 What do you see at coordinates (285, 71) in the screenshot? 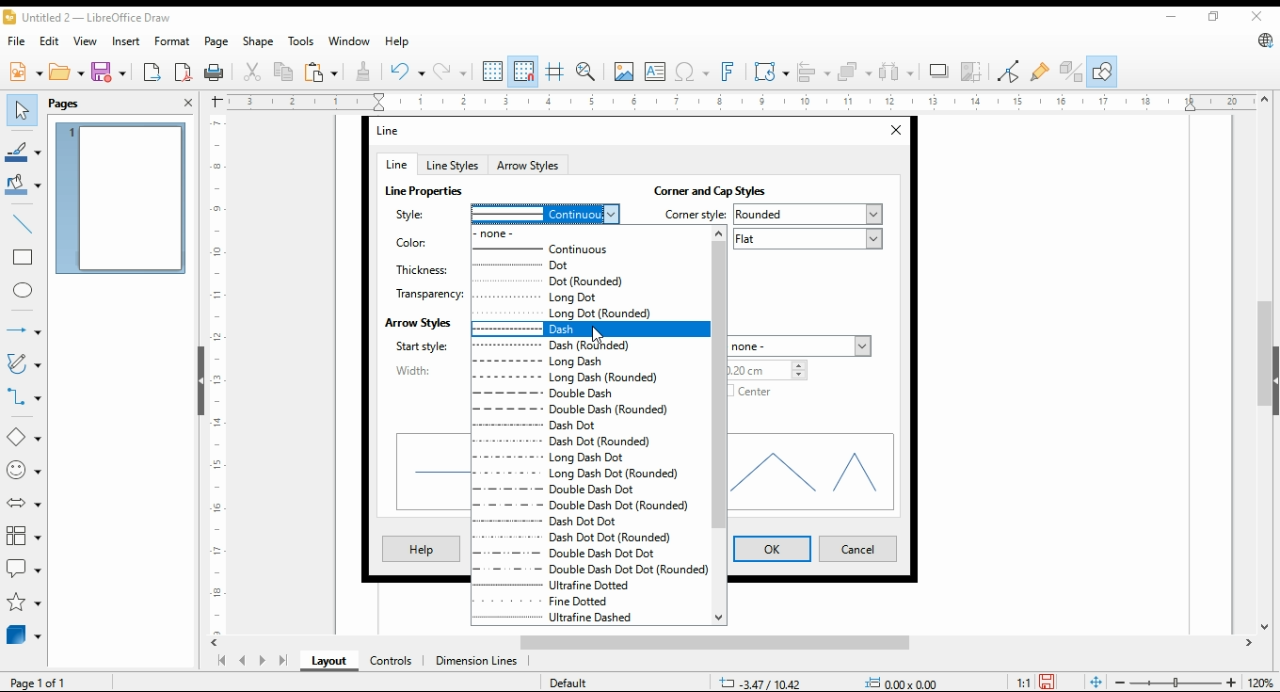
I see `copy` at bounding box center [285, 71].